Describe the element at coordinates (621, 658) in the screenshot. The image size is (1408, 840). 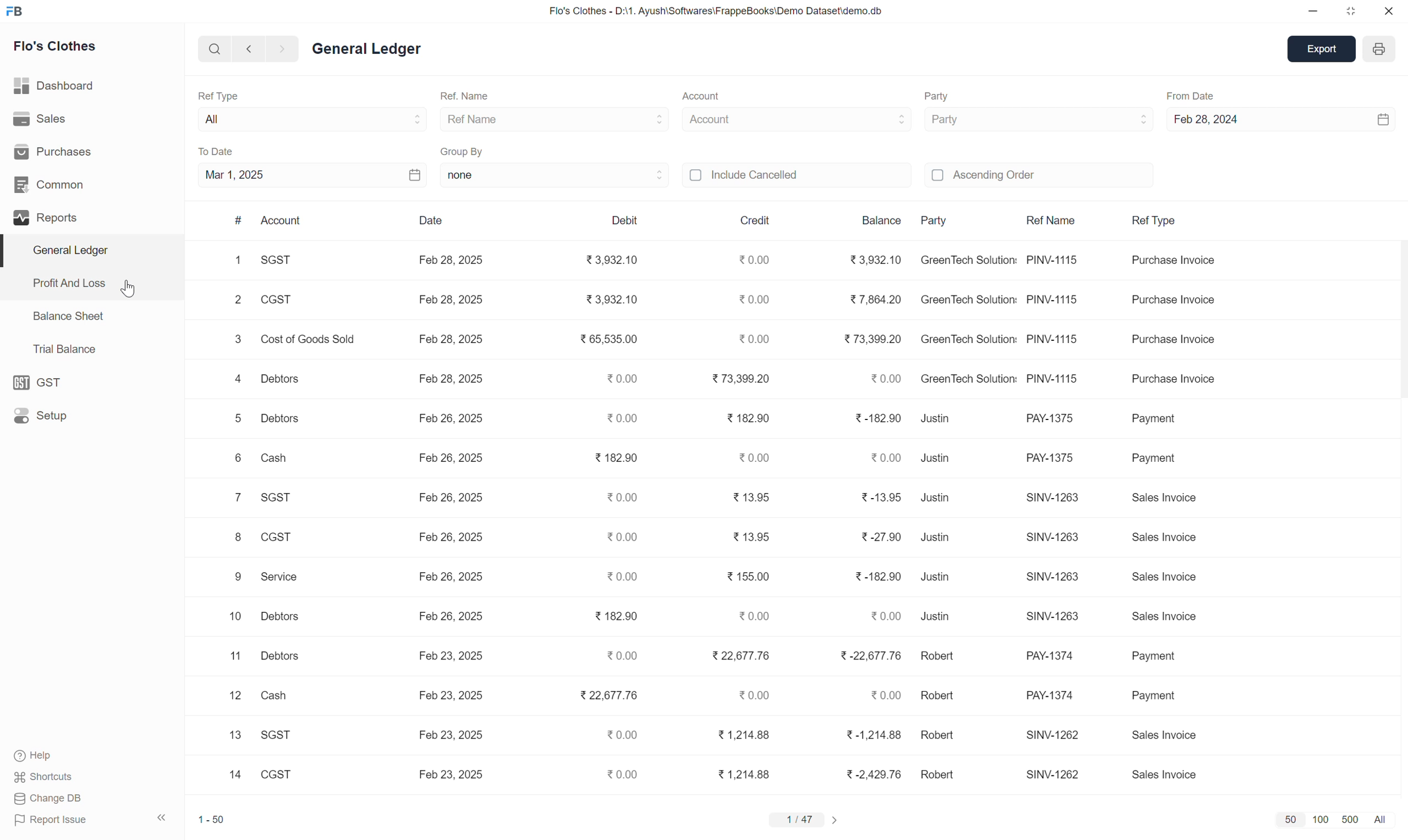
I see `₹0.00` at that location.